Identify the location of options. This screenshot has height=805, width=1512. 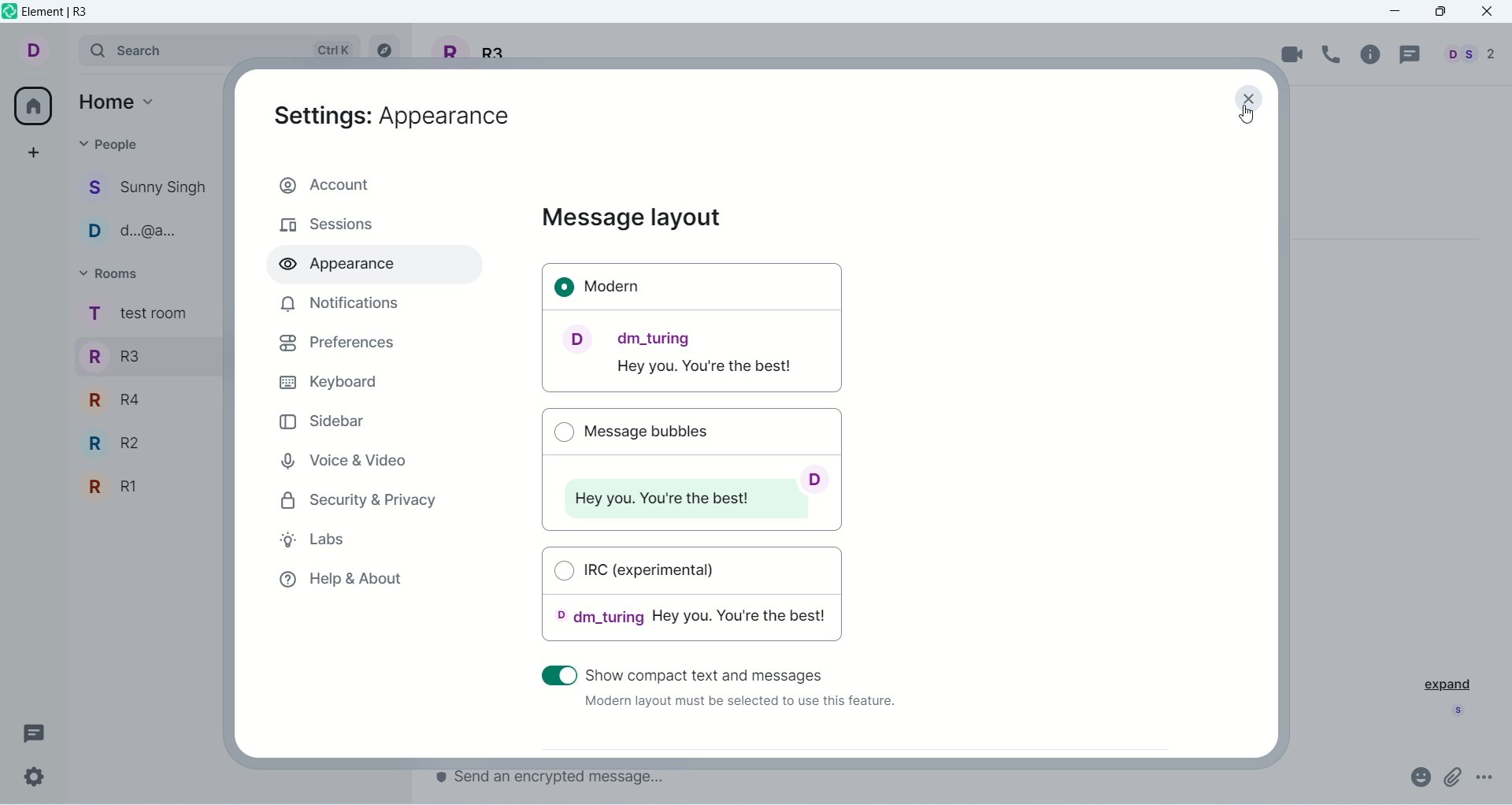
(1487, 777).